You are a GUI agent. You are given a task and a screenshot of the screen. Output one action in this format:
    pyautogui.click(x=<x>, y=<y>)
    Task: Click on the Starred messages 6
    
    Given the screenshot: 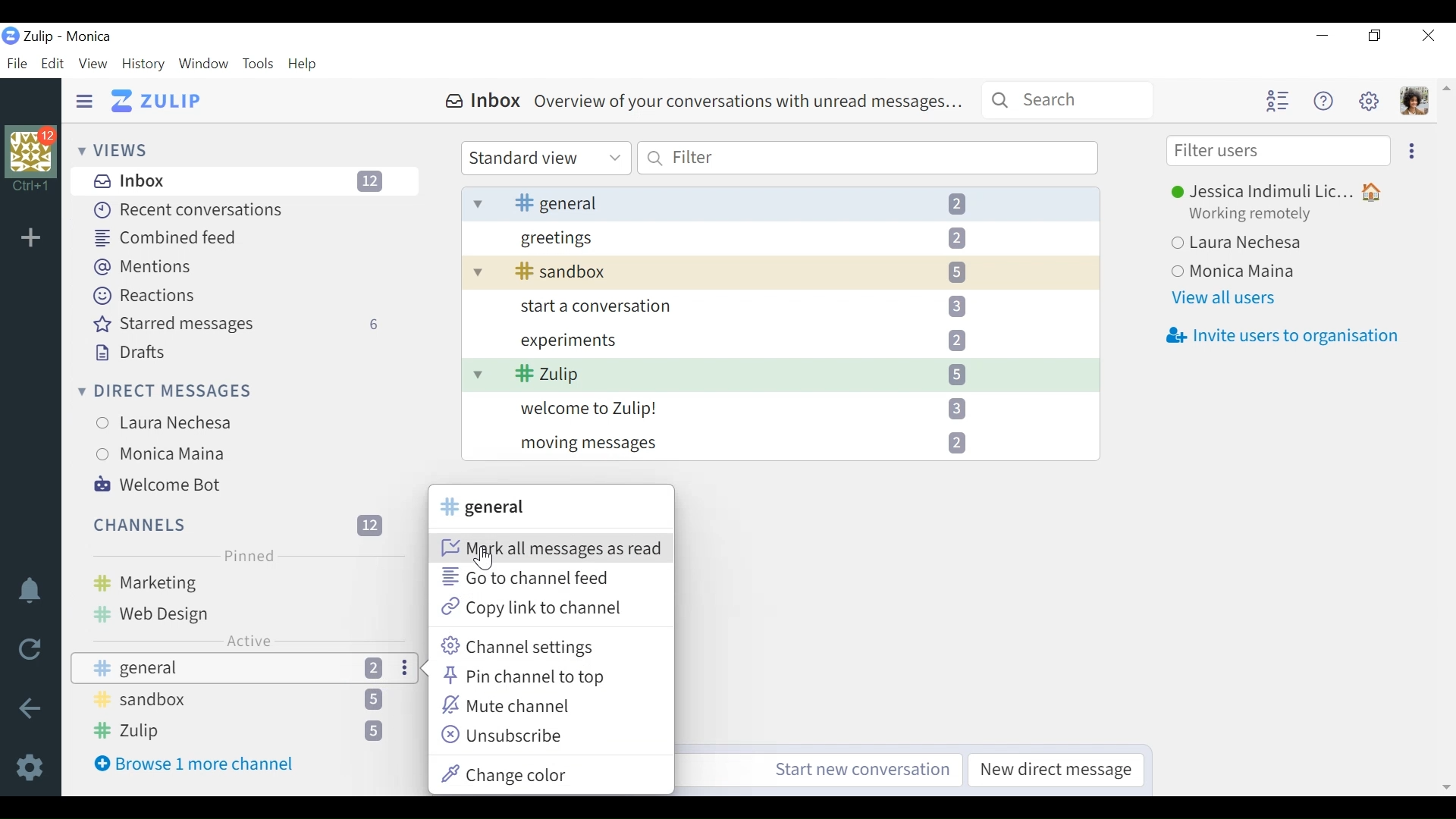 What is the action you would take?
    pyautogui.click(x=242, y=325)
    